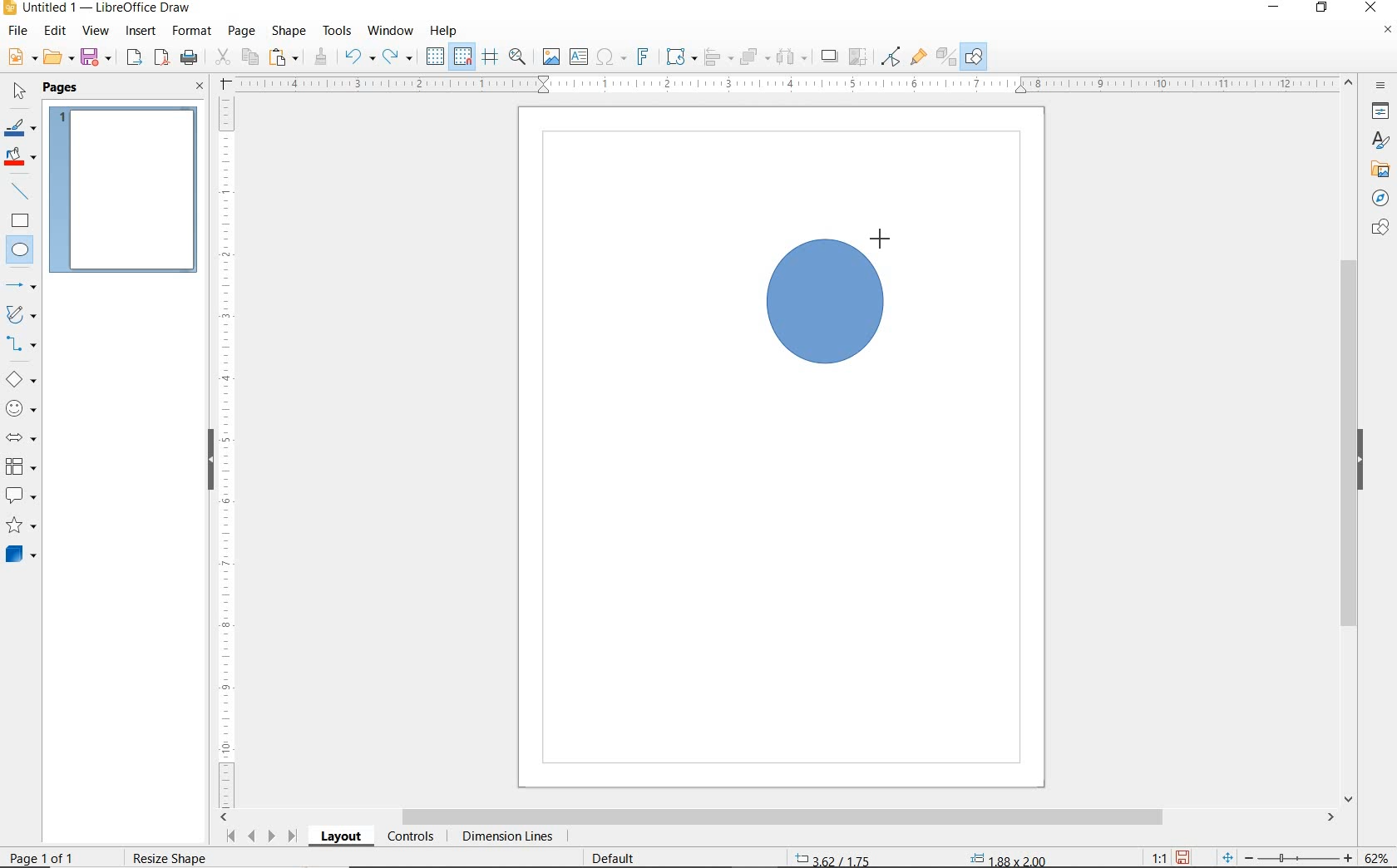  I want to click on PAGE, so click(241, 31).